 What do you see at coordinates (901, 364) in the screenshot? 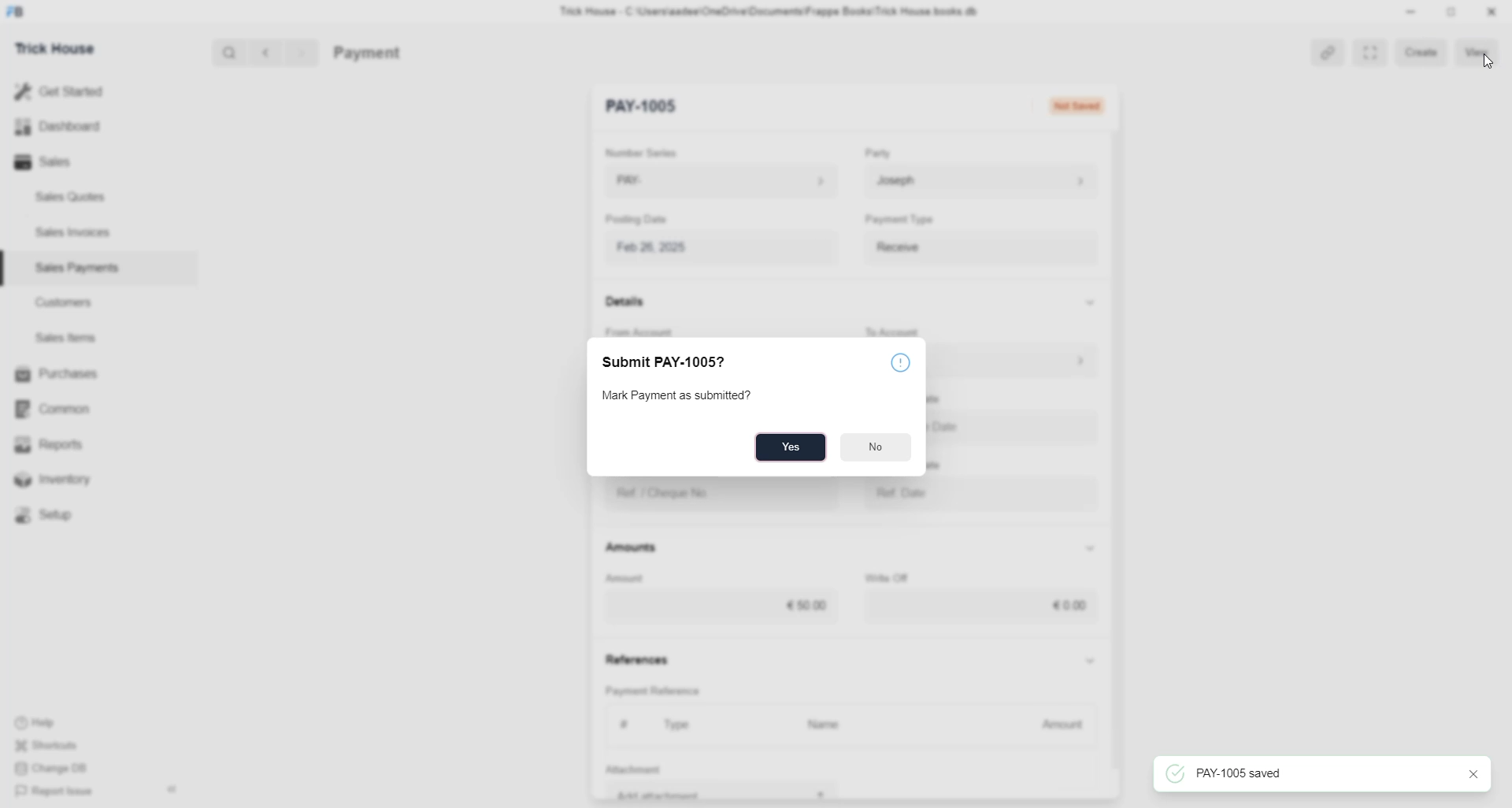
I see `info` at bounding box center [901, 364].